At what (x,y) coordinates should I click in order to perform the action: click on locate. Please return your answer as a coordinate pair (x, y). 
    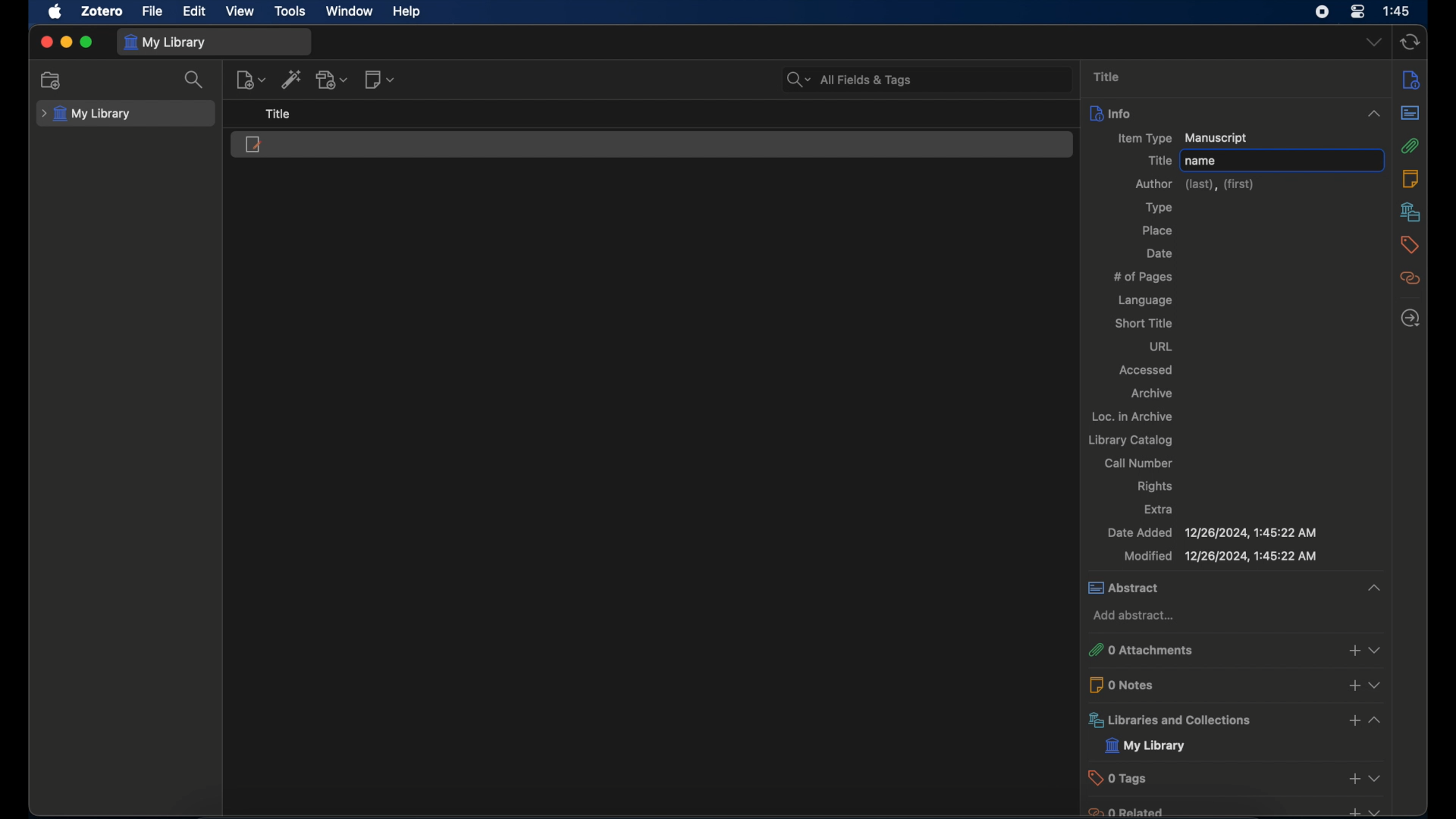
    Looking at the image, I should click on (1410, 318).